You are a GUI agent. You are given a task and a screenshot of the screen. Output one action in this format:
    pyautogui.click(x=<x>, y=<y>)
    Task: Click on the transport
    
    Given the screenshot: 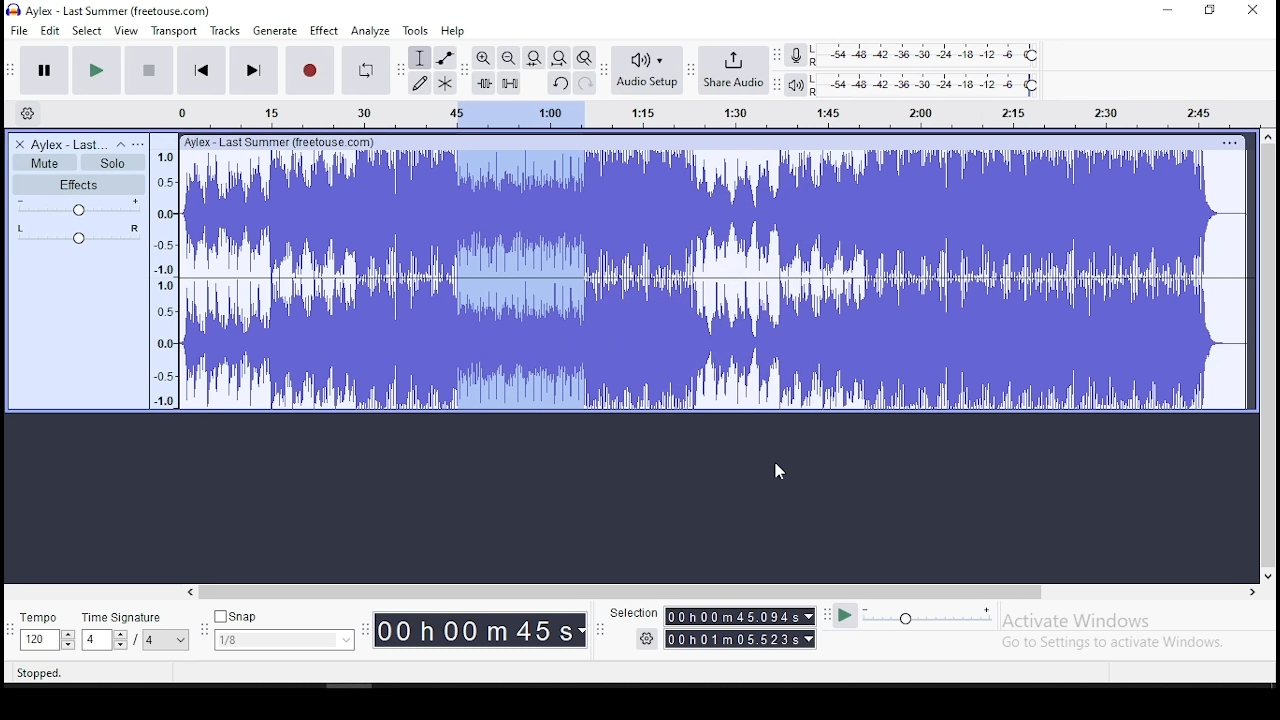 What is the action you would take?
    pyautogui.click(x=173, y=30)
    